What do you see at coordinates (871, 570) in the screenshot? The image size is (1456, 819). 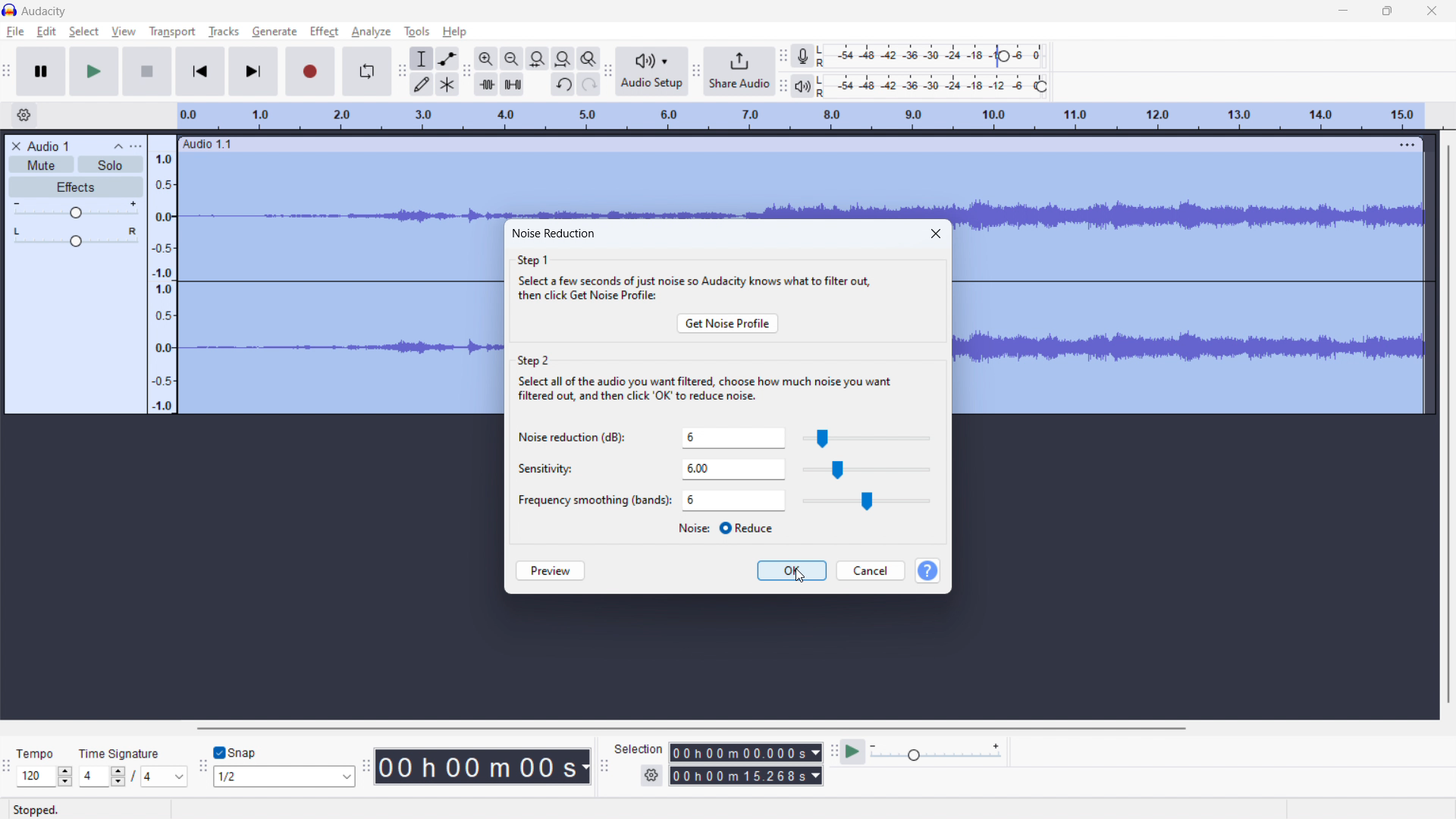 I see `cancel` at bounding box center [871, 570].